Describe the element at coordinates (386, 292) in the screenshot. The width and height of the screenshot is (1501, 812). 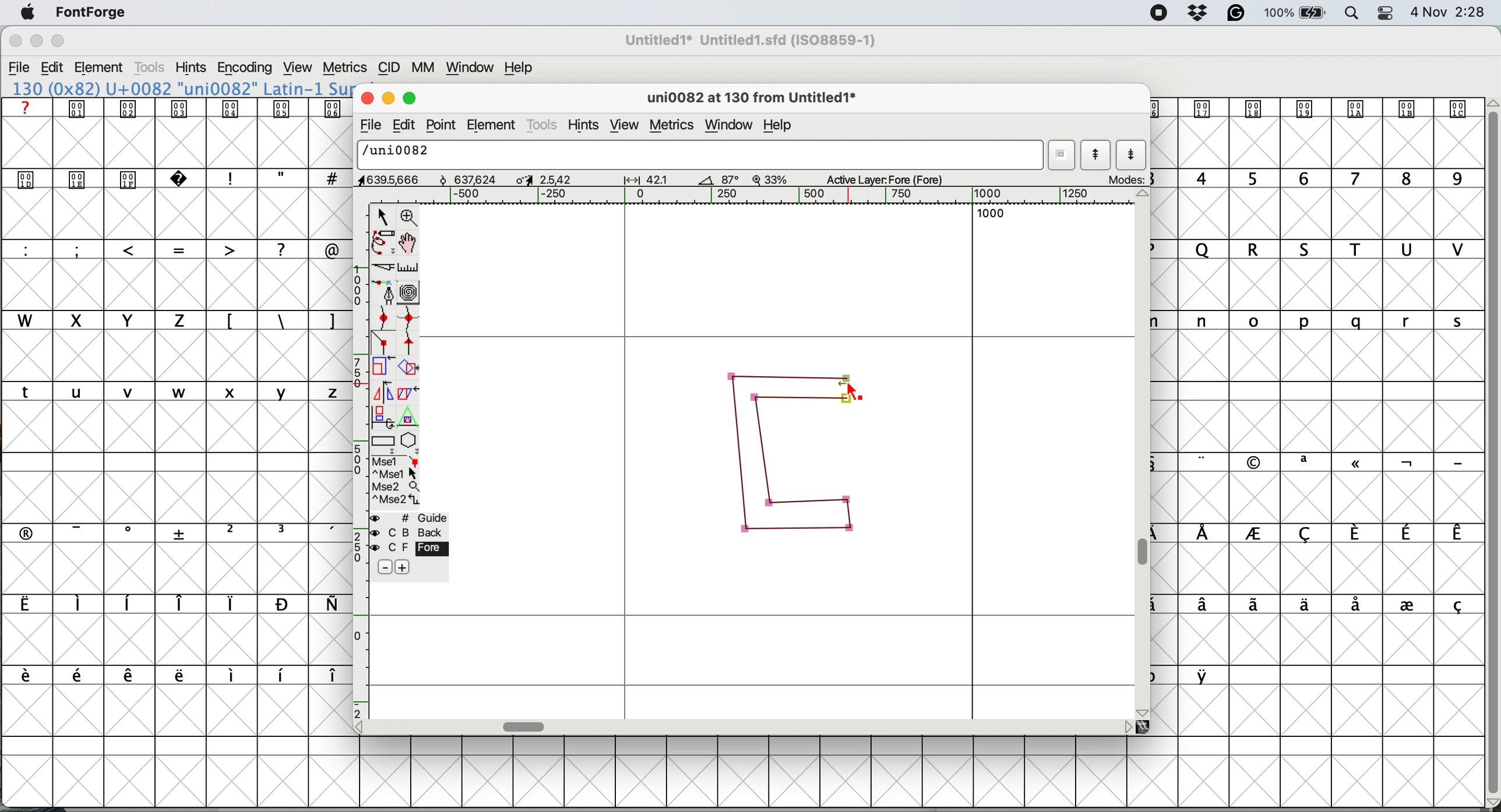
I see `add a point and drag out its control points` at that location.